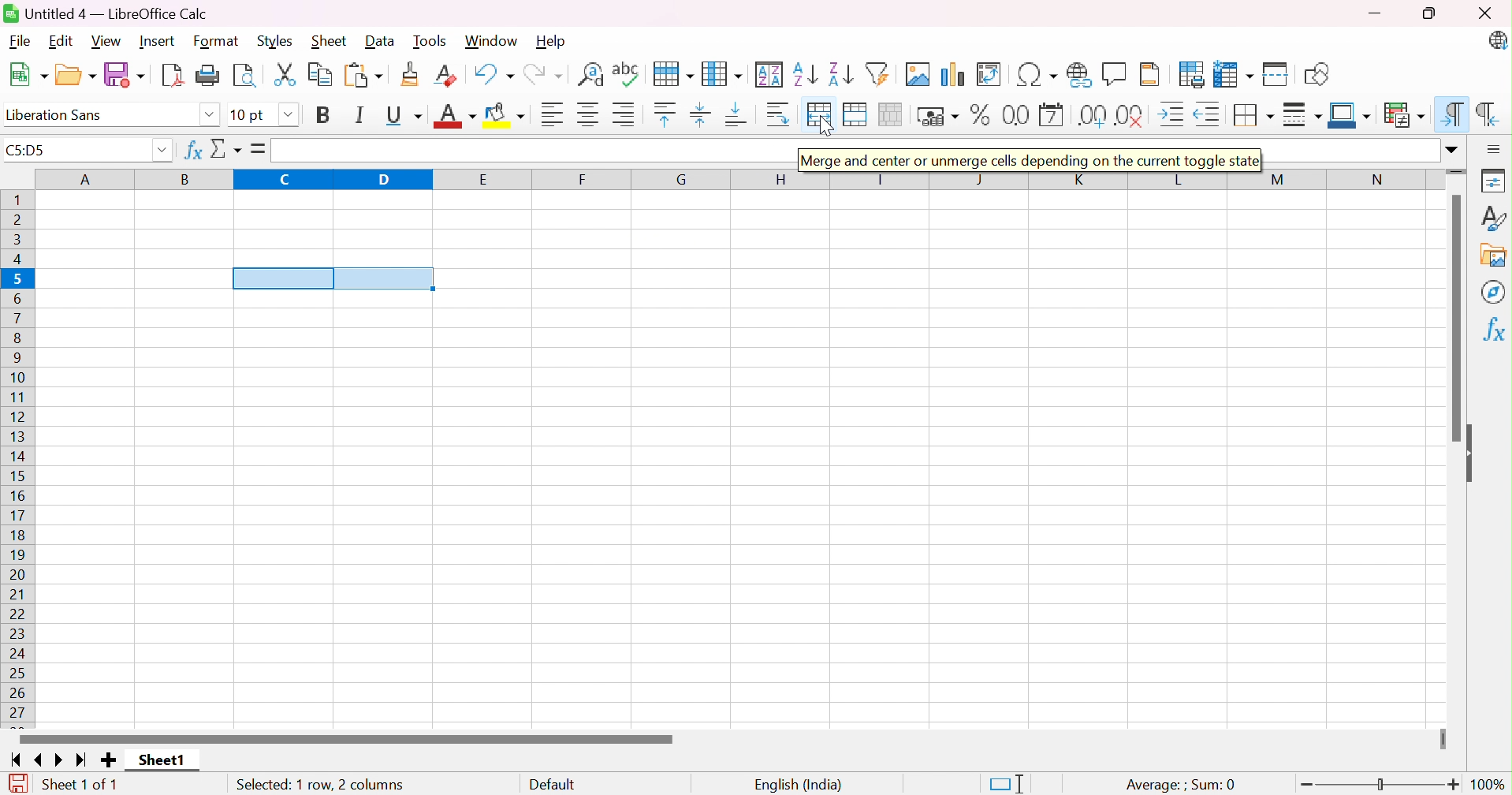 Image resolution: width=1512 pixels, height=795 pixels. Describe the element at coordinates (1451, 151) in the screenshot. I see `Drop Down` at that location.